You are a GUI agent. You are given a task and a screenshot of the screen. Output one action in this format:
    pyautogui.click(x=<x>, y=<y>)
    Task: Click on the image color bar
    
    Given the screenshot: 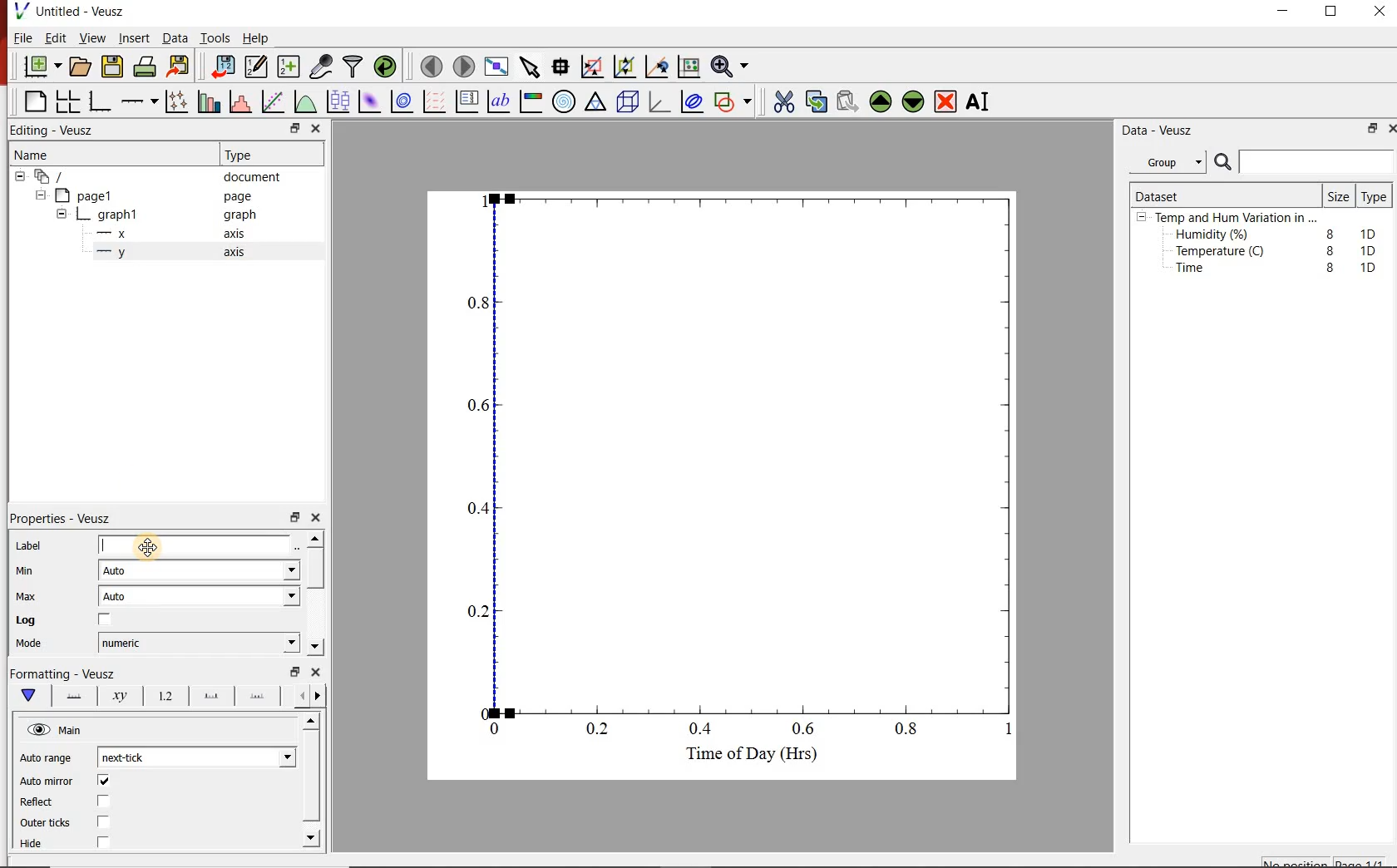 What is the action you would take?
    pyautogui.click(x=534, y=101)
    